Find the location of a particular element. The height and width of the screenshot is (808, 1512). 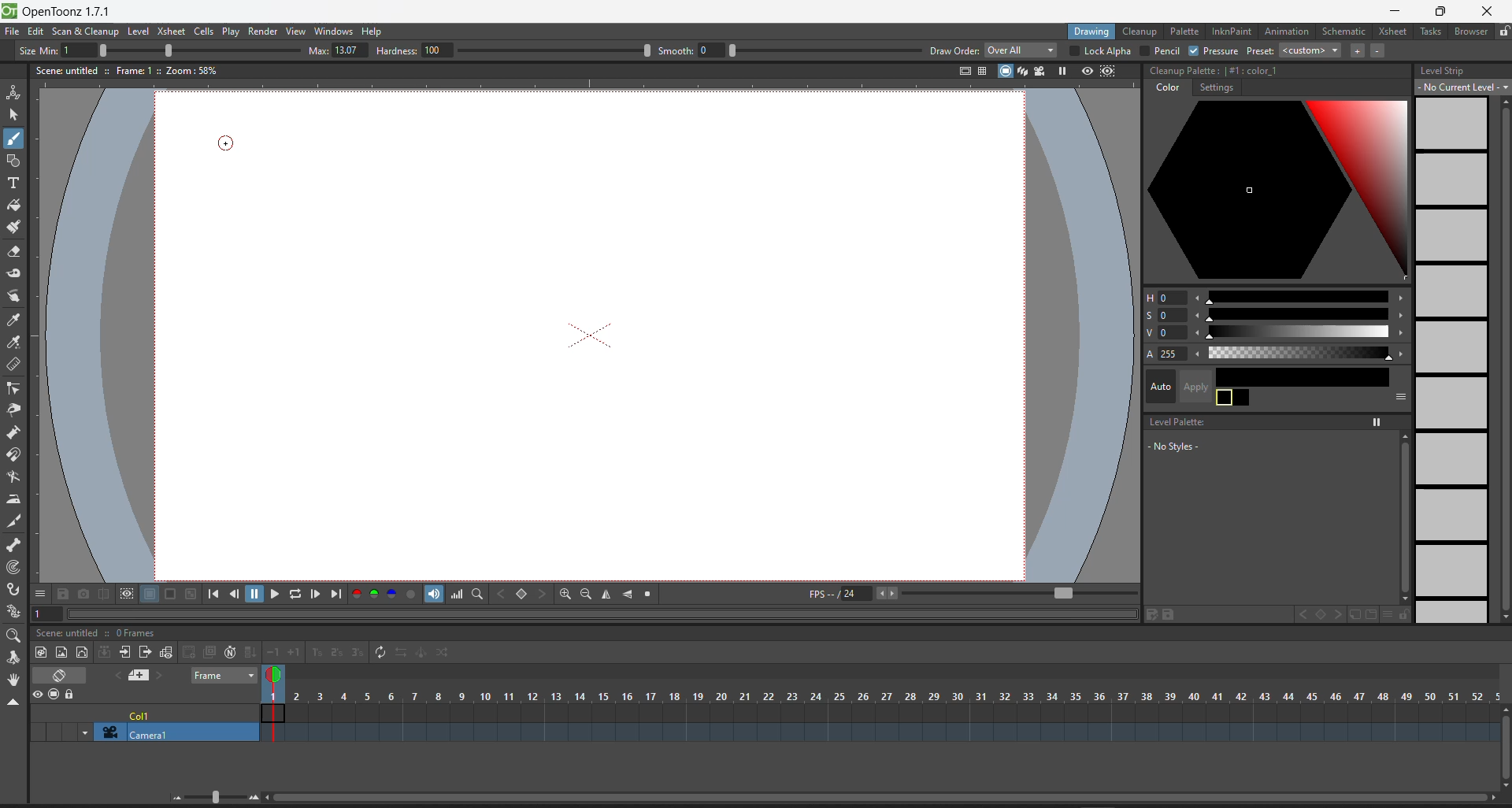

slider is located at coordinates (1299, 297).